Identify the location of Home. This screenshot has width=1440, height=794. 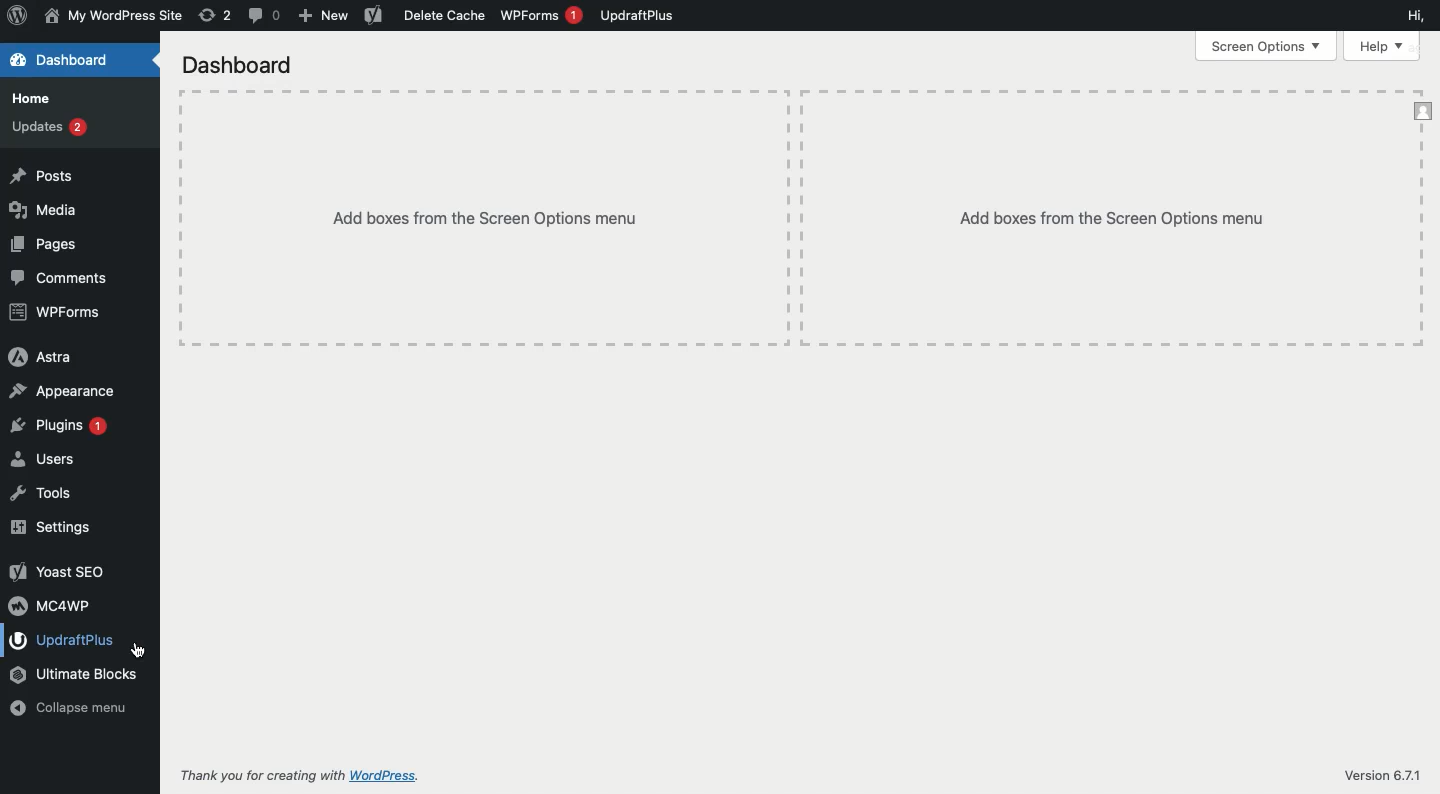
(34, 98).